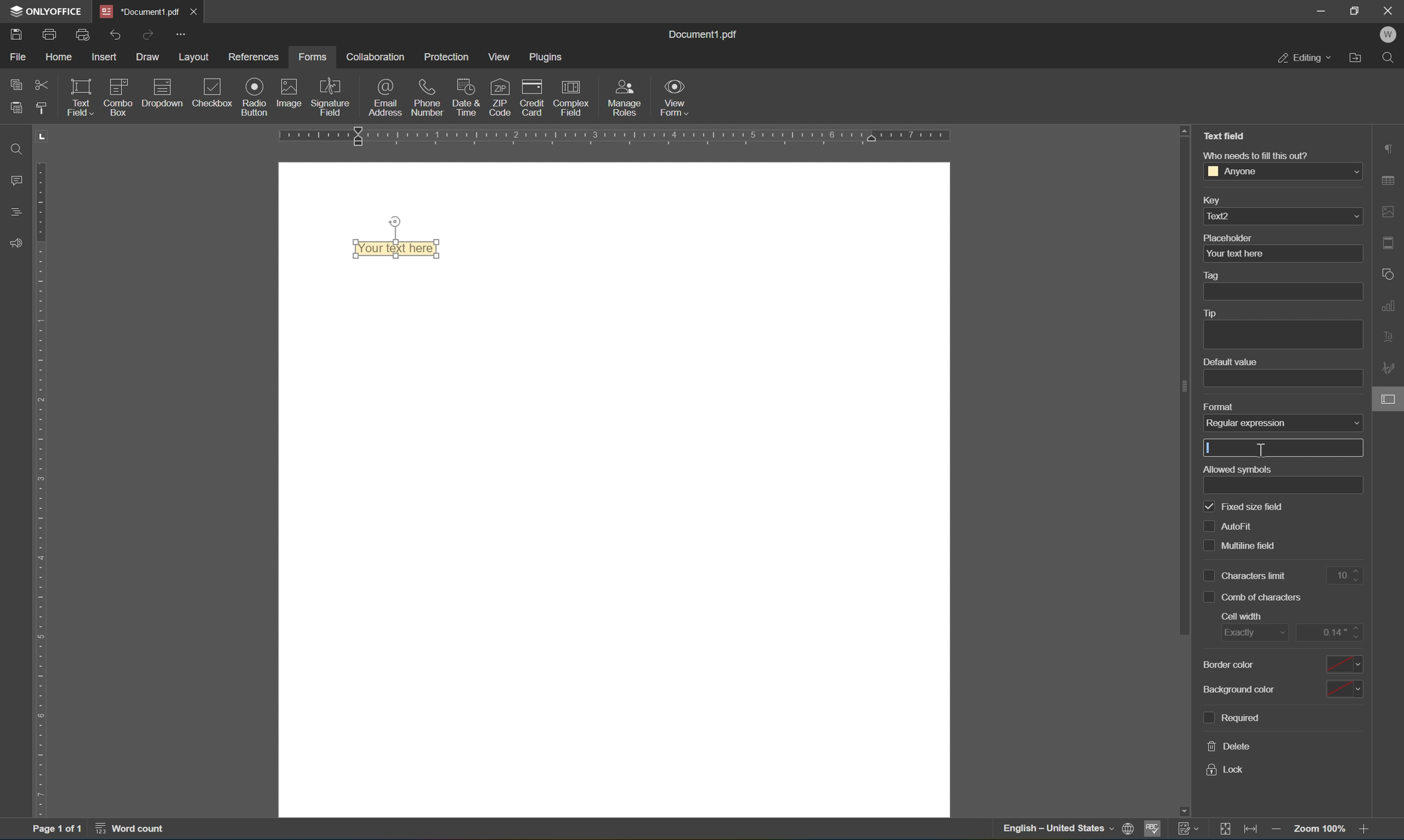 The width and height of the screenshot is (1404, 840). I want to click on tip, so click(1211, 312).